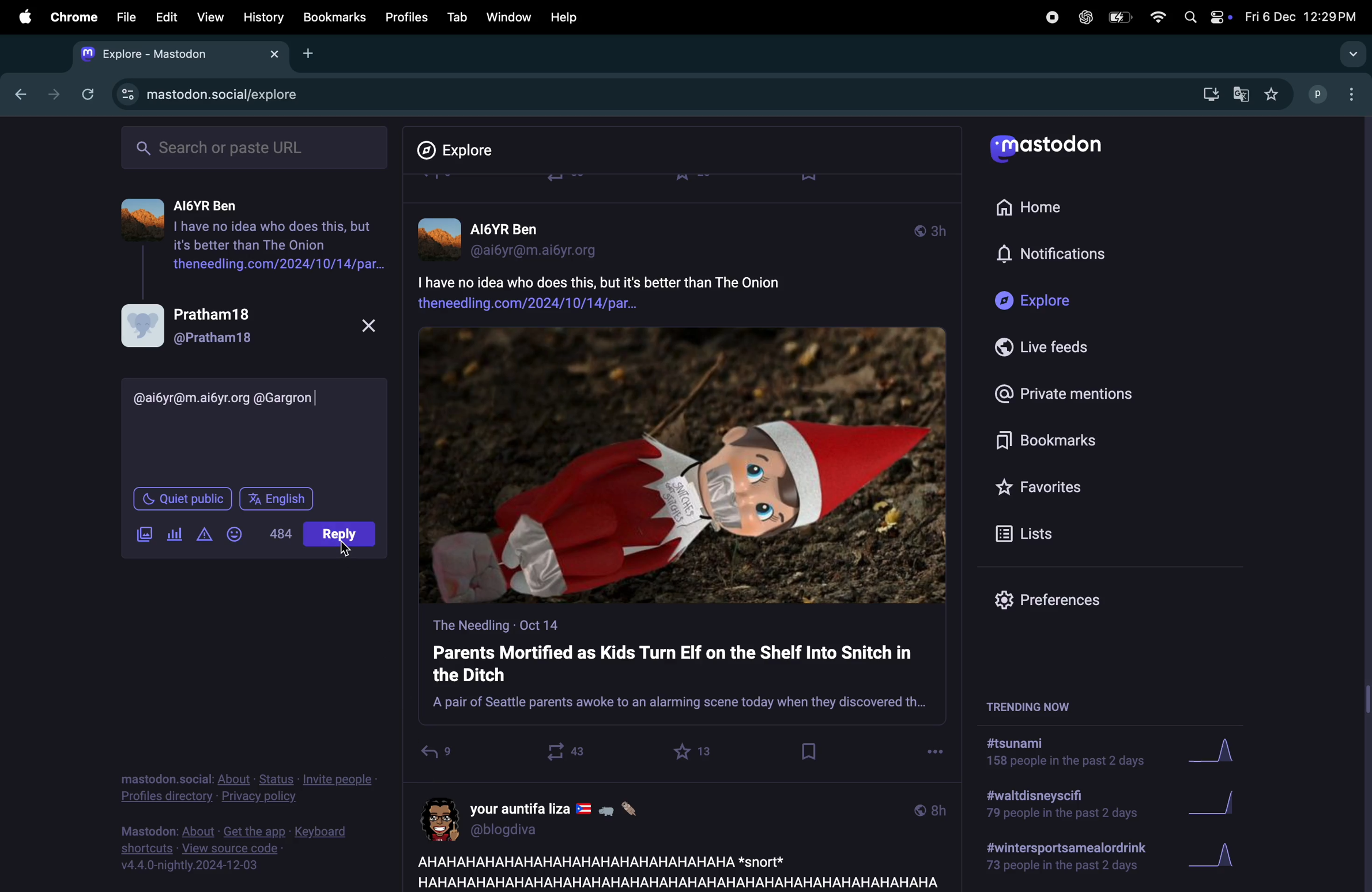 Image resolution: width=1372 pixels, height=892 pixels. I want to click on search url, so click(257, 146).